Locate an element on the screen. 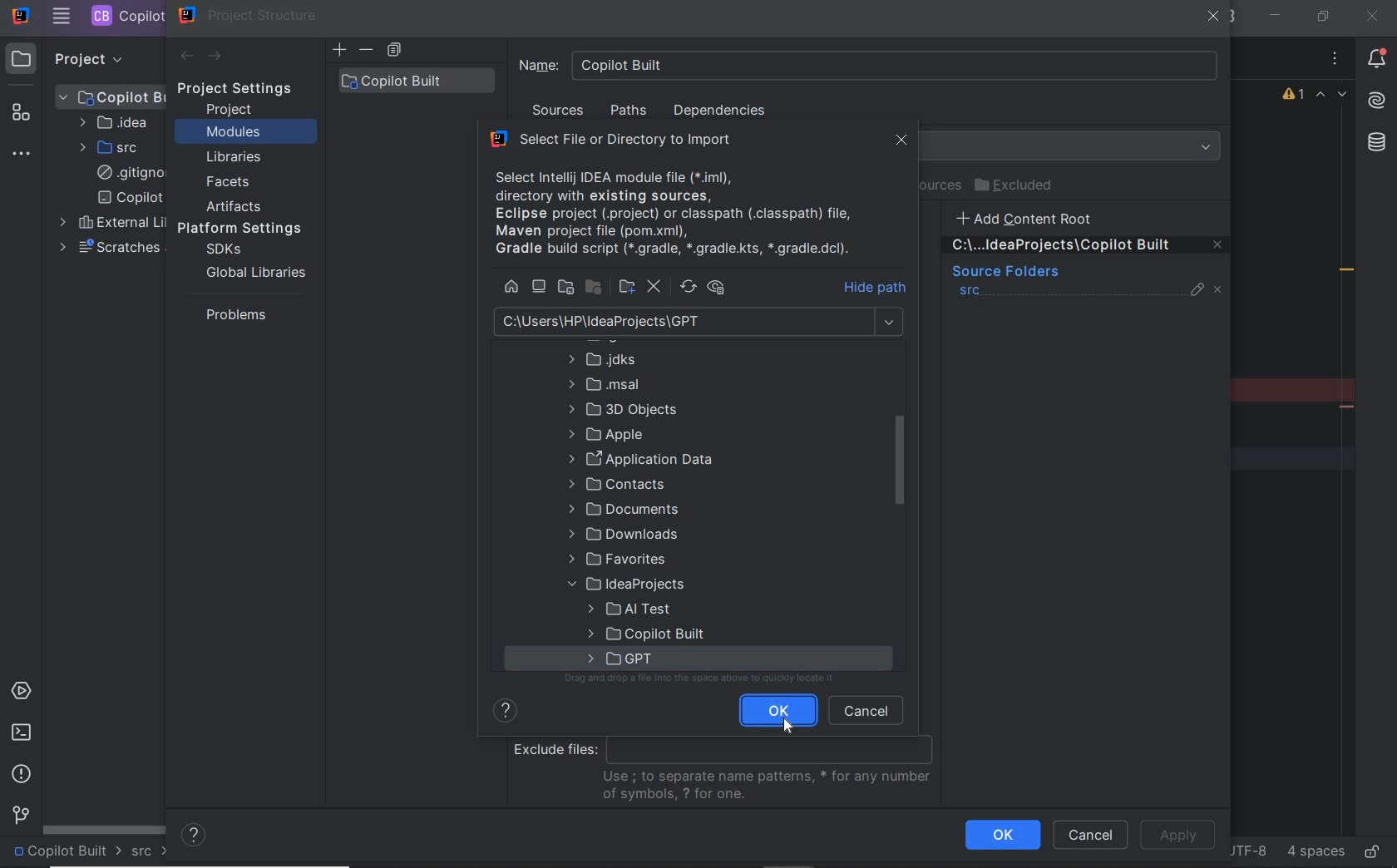 Image resolution: width=1397 pixels, height=868 pixels. project name is located at coordinates (67, 852).